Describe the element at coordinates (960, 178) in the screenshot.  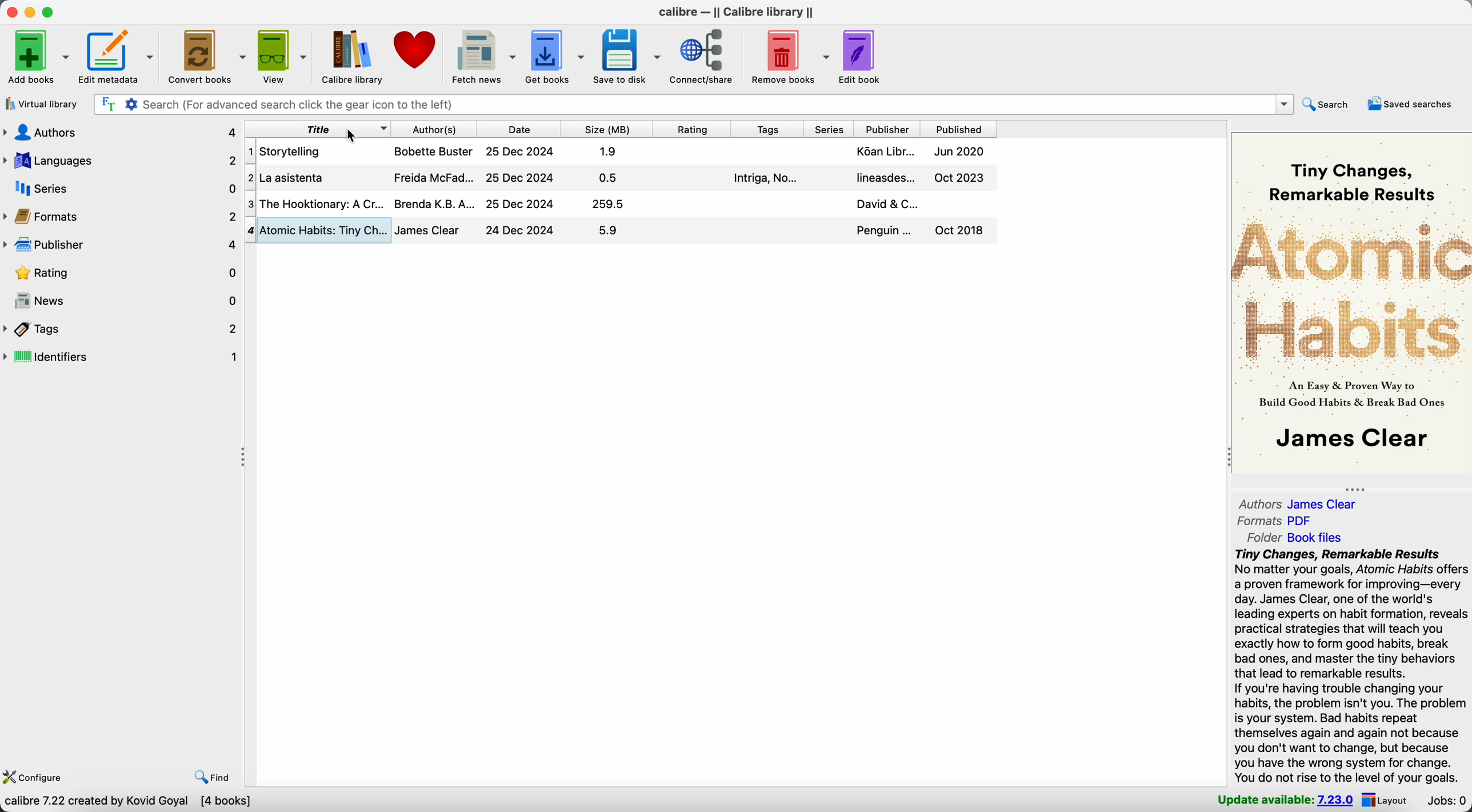
I see `oct 2023` at that location.